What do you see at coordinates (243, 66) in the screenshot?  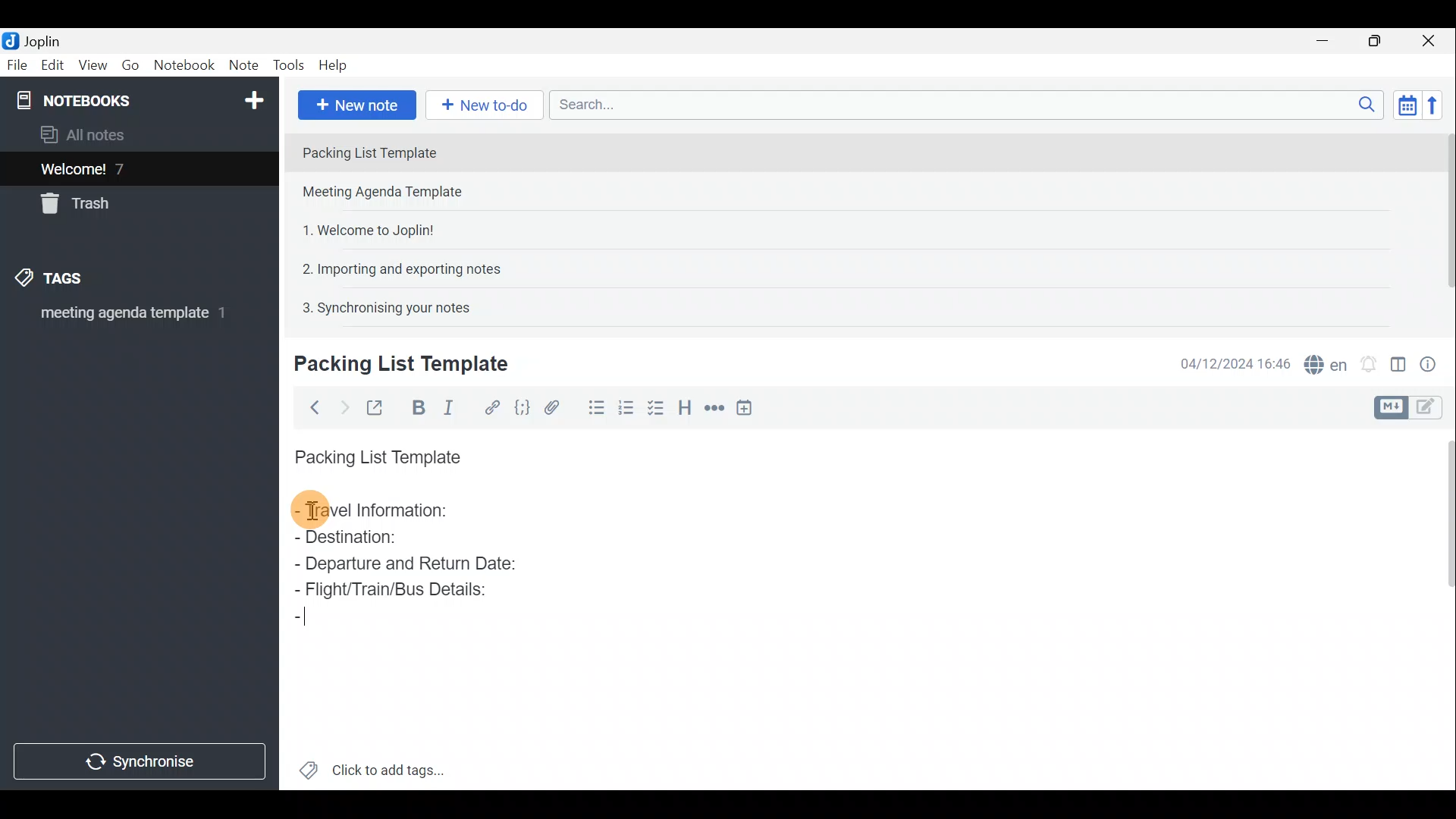 I see `Note` at bounding box center [243, 66].